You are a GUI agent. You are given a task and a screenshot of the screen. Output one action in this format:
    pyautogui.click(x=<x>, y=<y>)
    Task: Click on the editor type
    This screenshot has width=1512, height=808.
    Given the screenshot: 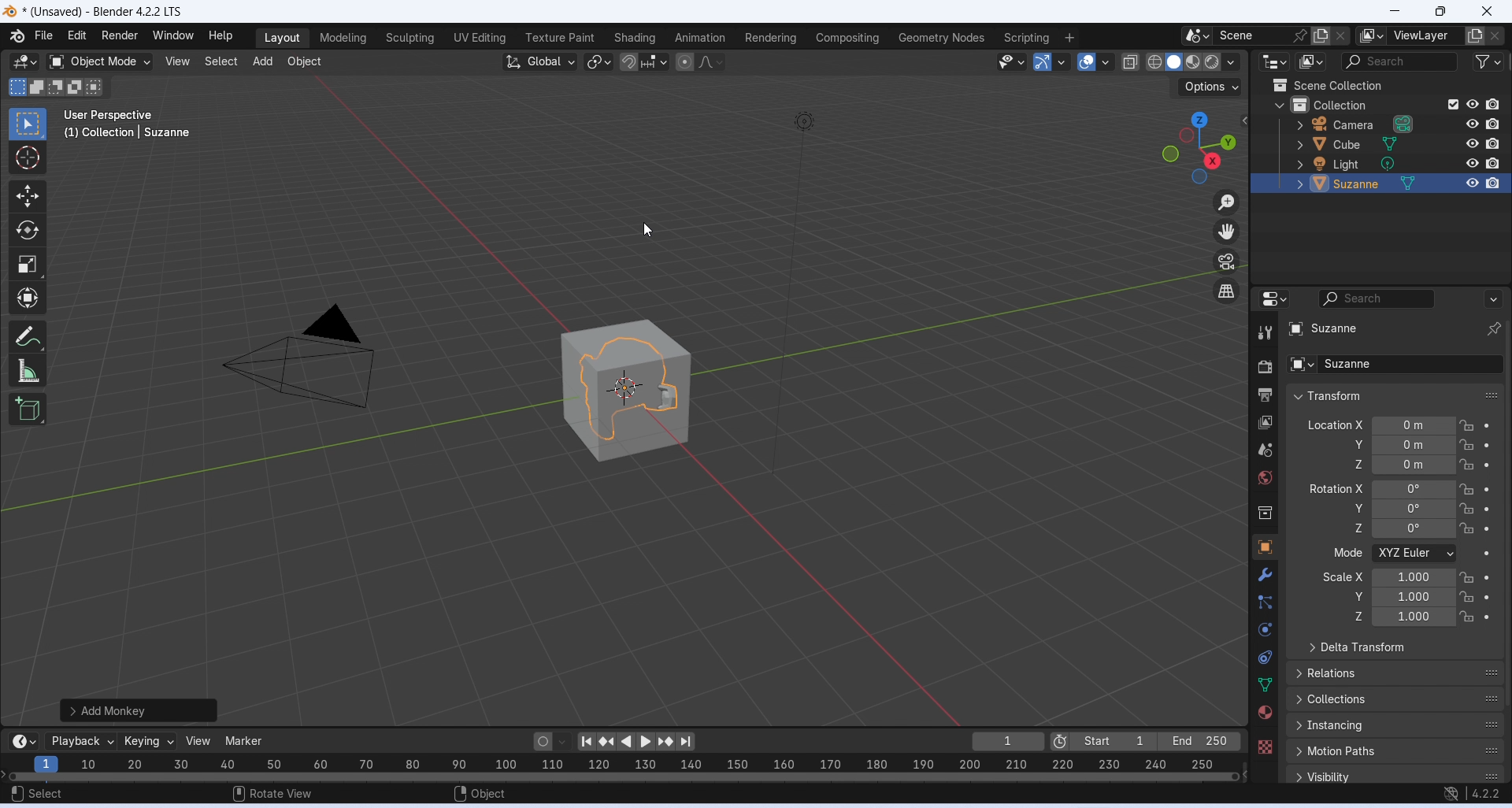 What is the action you would take?
    pyautogui.click(x=1277, y=61)
    